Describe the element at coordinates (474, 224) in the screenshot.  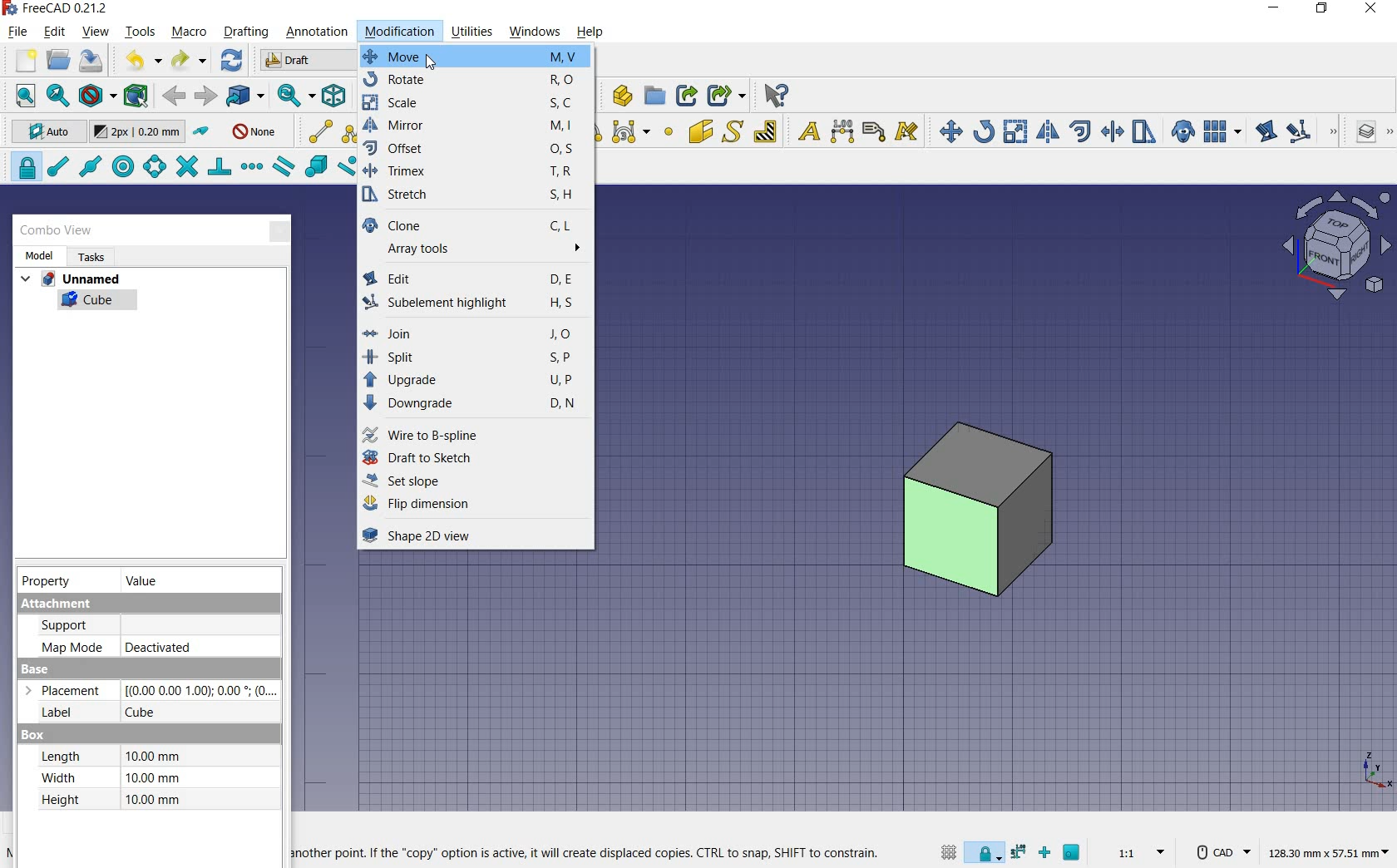
I see `clone` at that location.